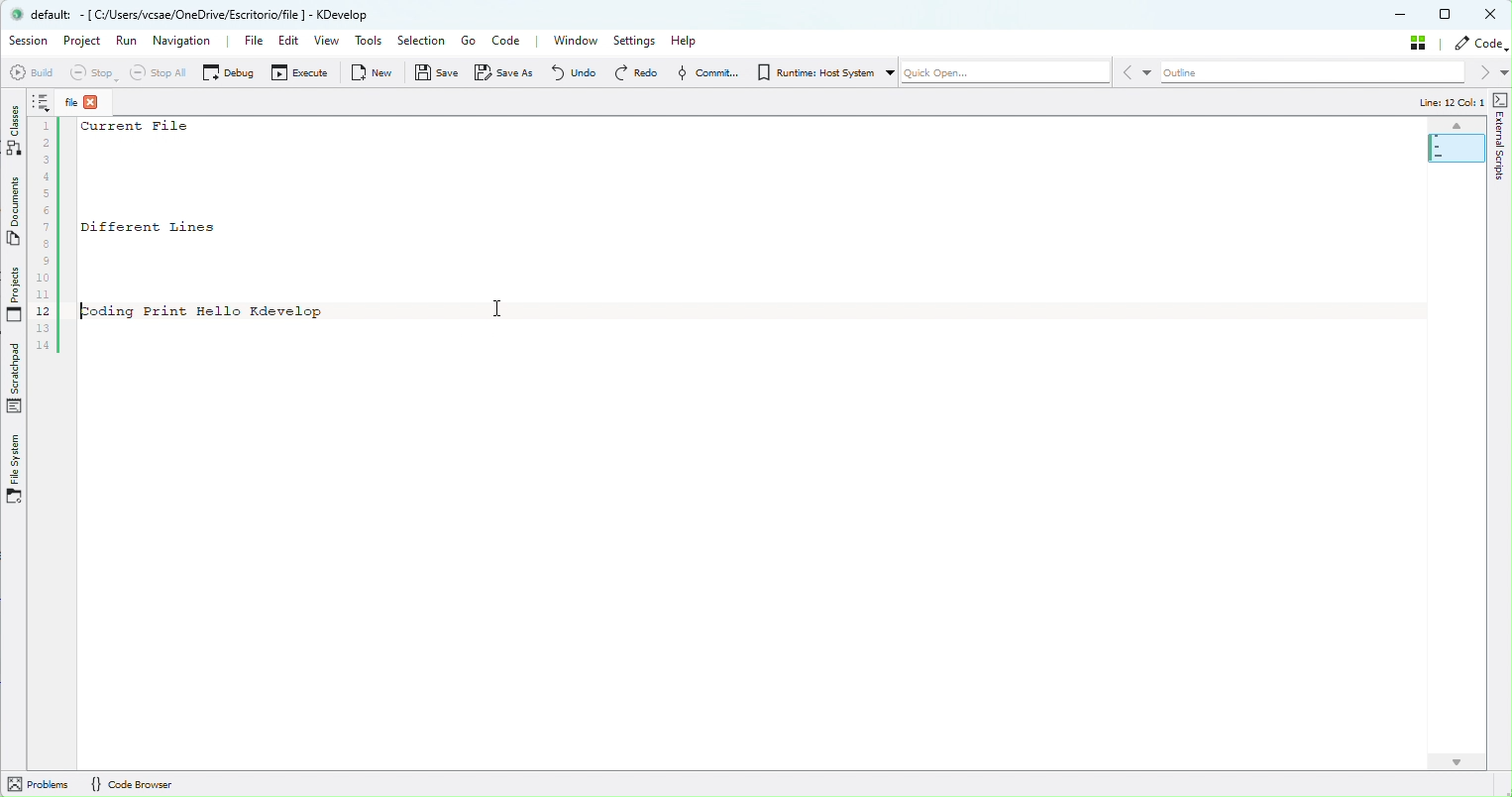  Describe the element at coordinates (125, 42) in the screenshot. I see `Run` at that location.